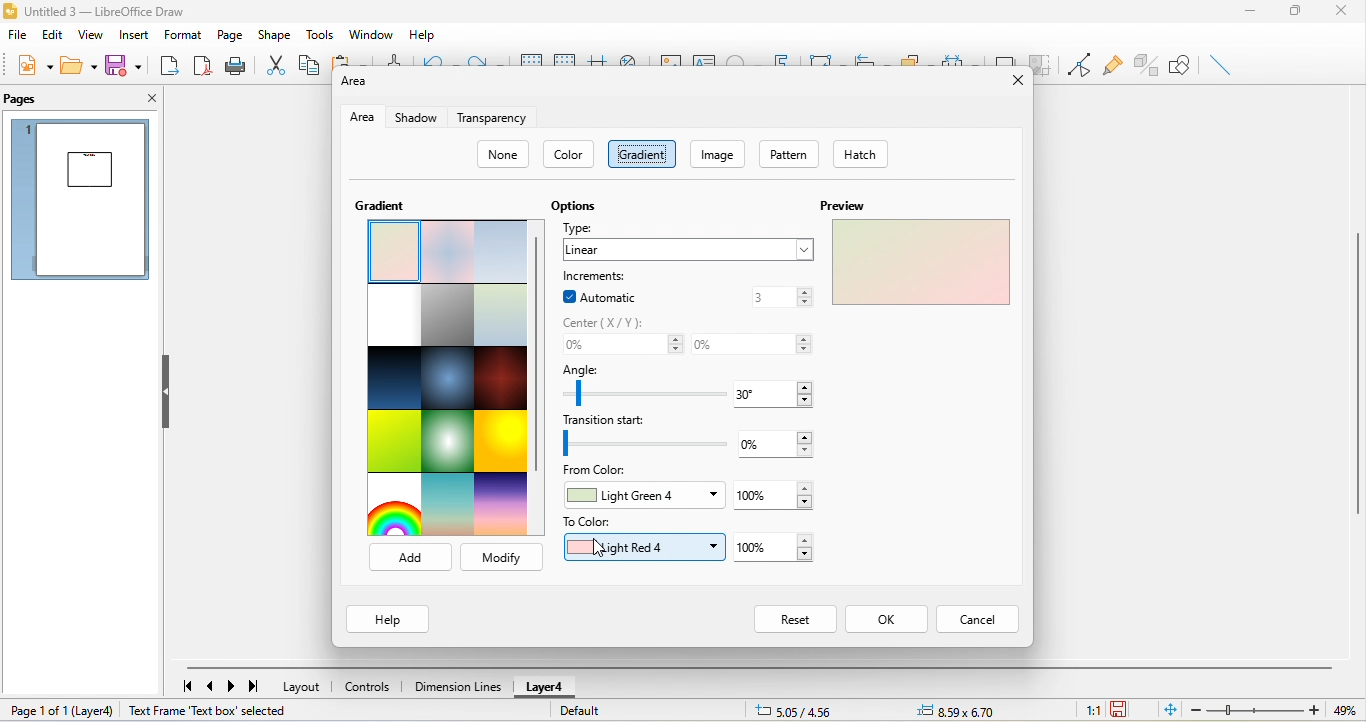  What do you see at coordinates (81, 64) in the screenshot?
I see `open` at bounding box center [81, 64].